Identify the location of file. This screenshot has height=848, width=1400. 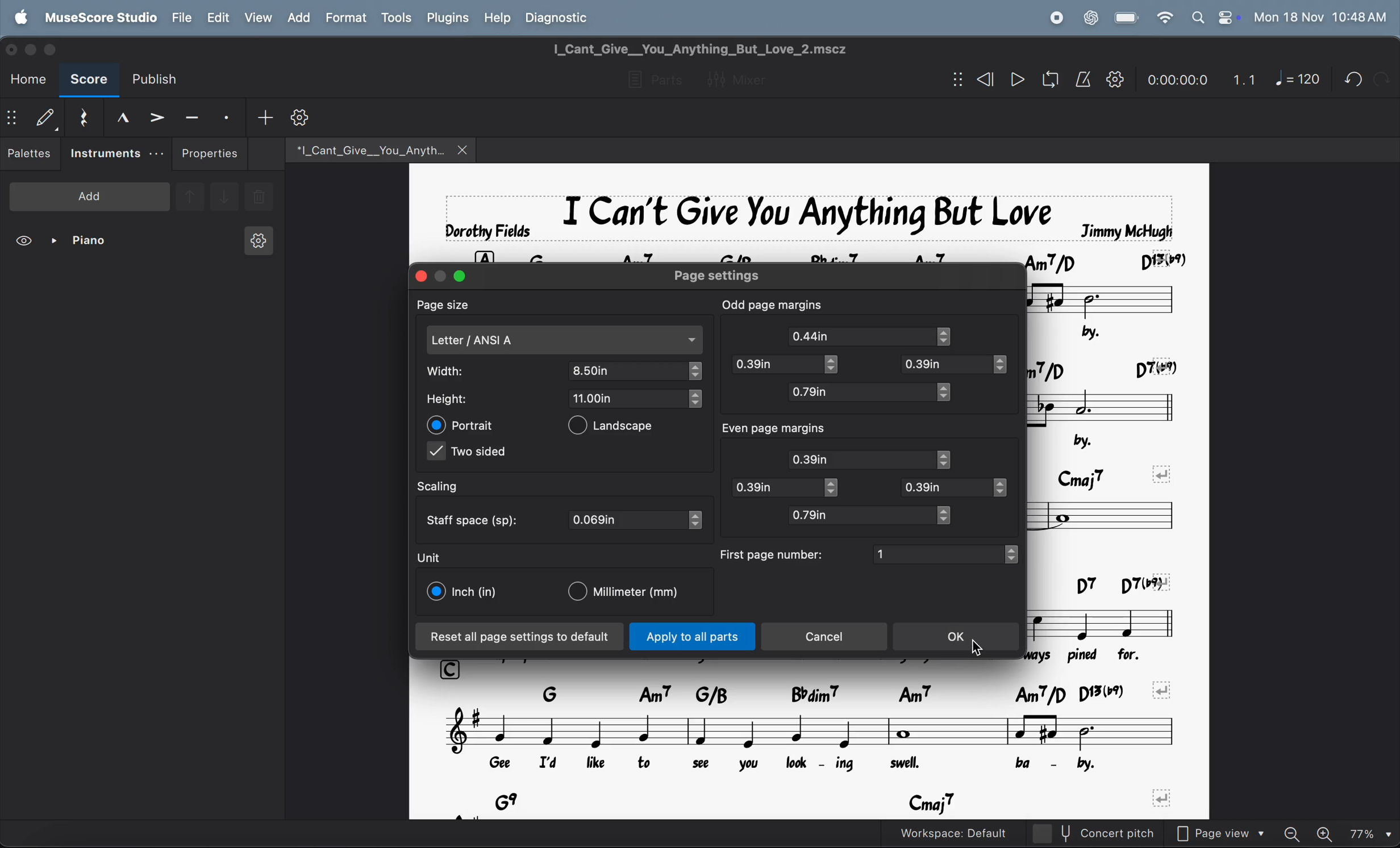
(182, 17).